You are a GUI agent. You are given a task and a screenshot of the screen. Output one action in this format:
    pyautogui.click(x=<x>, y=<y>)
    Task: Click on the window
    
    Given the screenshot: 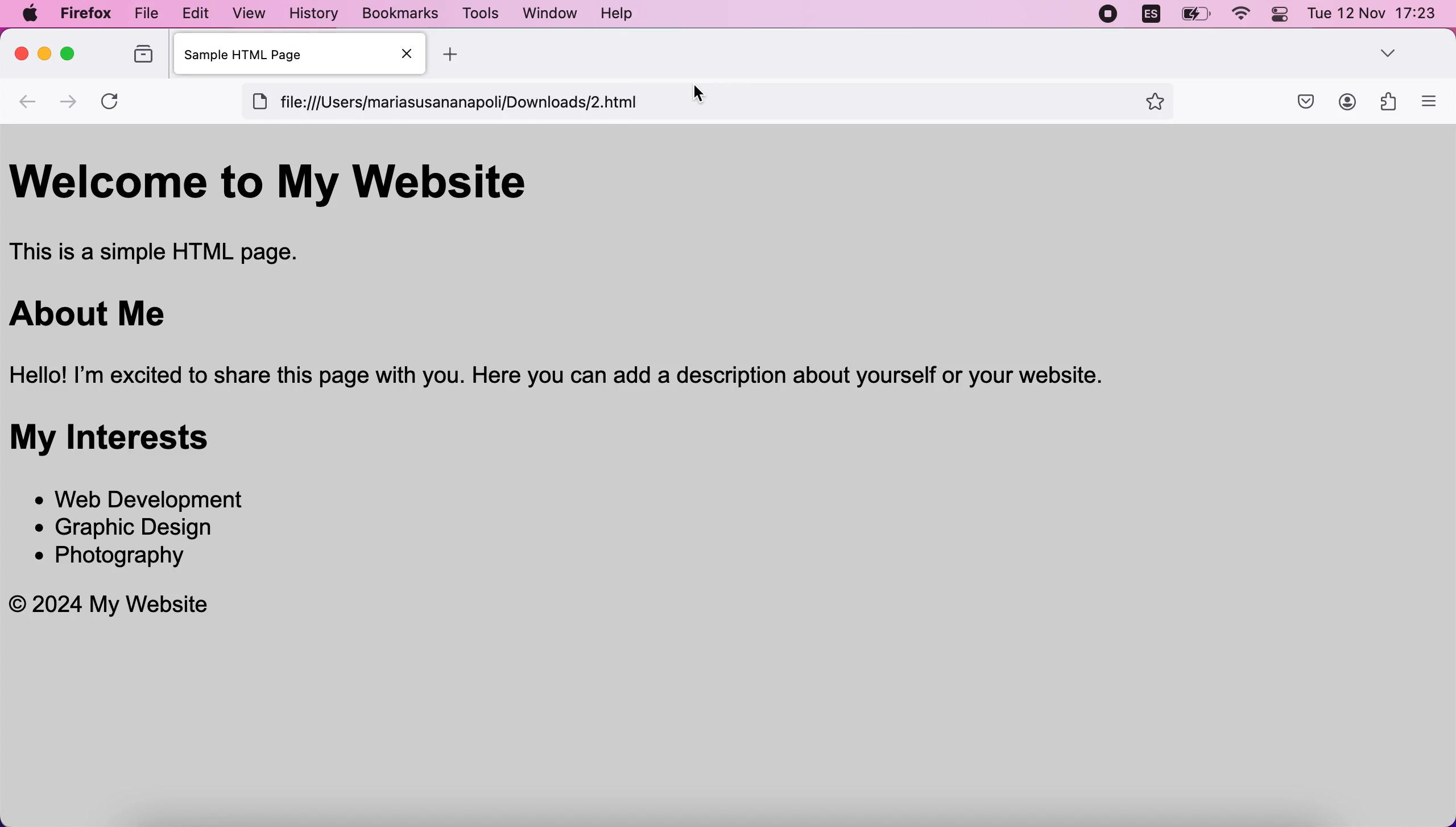 What is the action you would take?
    pyautogui.click(x=547, y=16)
    